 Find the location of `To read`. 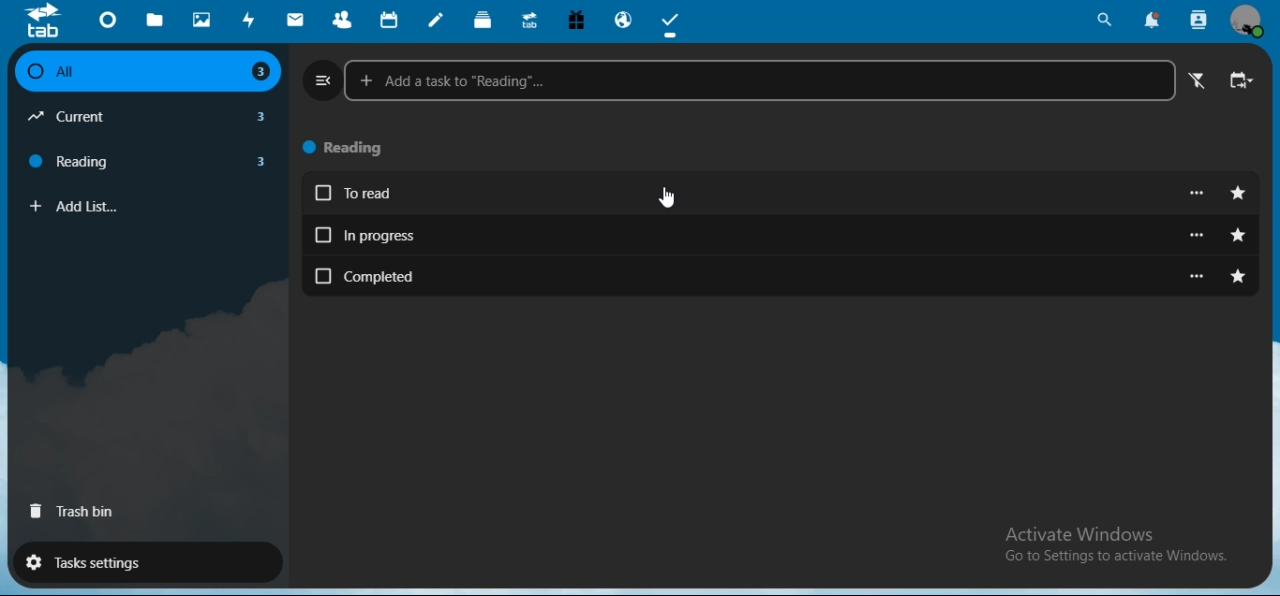

To read is located at coordinates (748, 195).